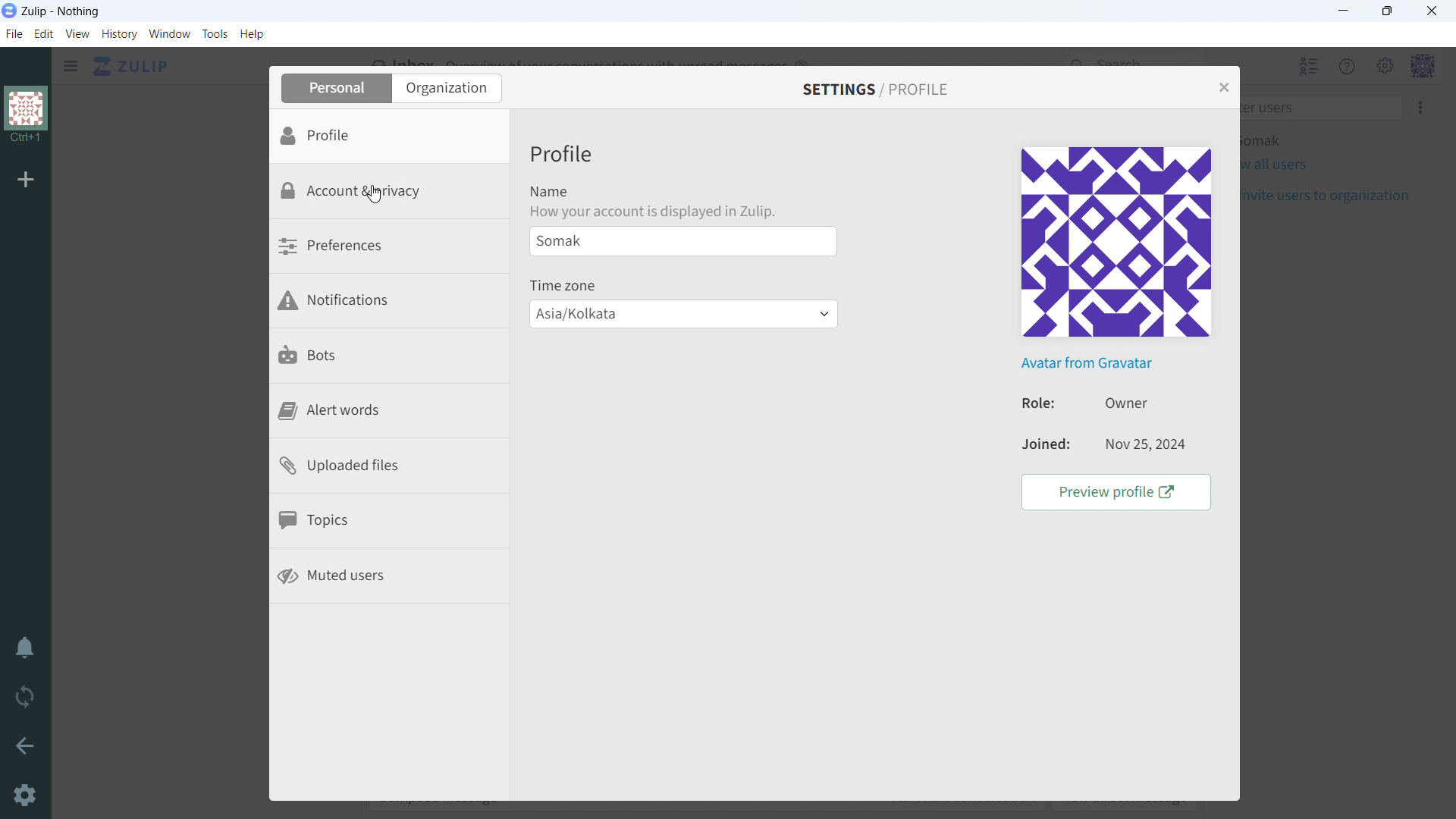 This screenshot has width=1456, height=819. Describe the element at coordinates (1422, 67) in the screenshot. I see `profile menu` at that location.